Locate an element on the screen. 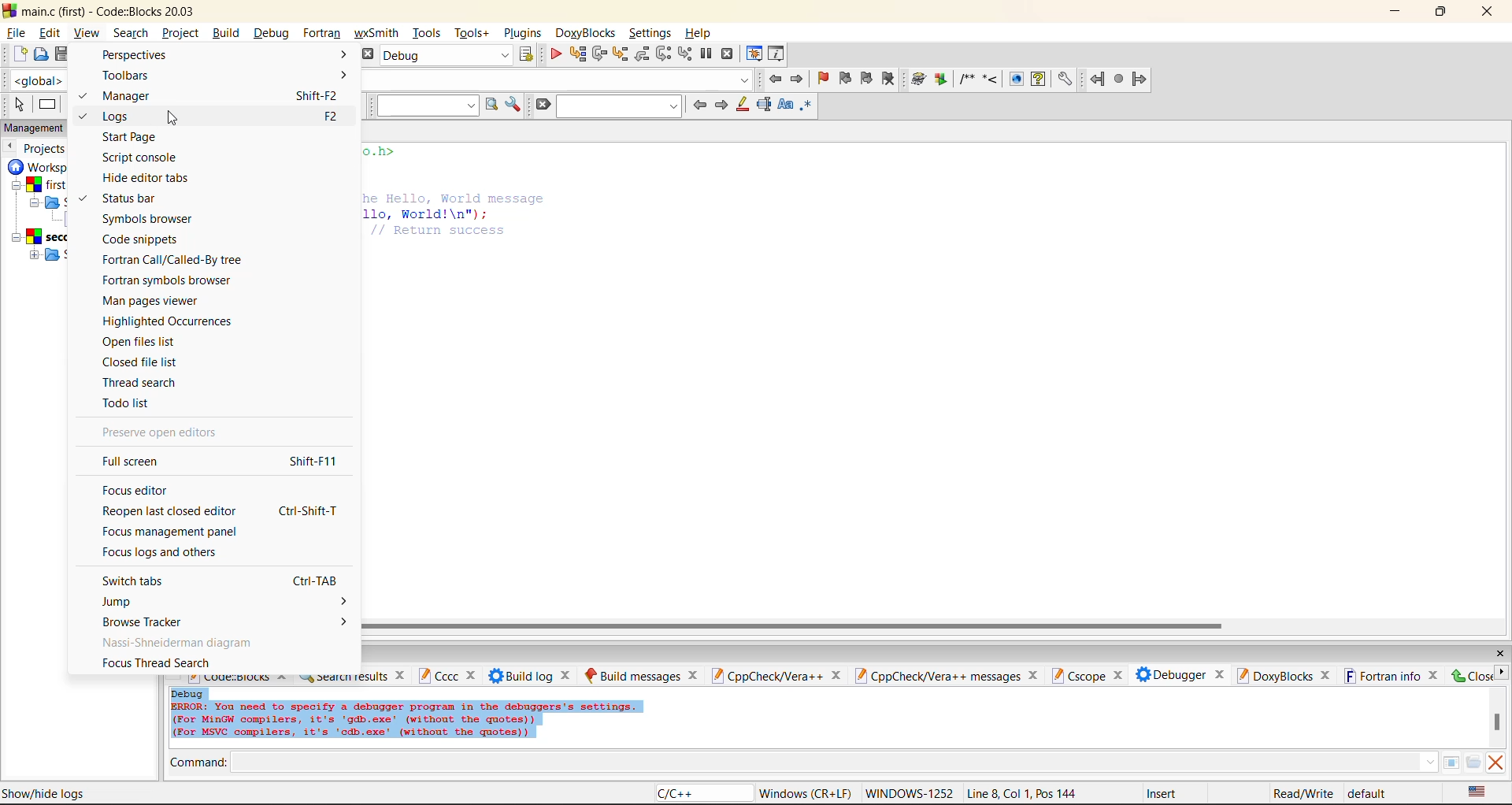 This screenshot has width=1512, height=805. web is located at coordinates (1014, 80).